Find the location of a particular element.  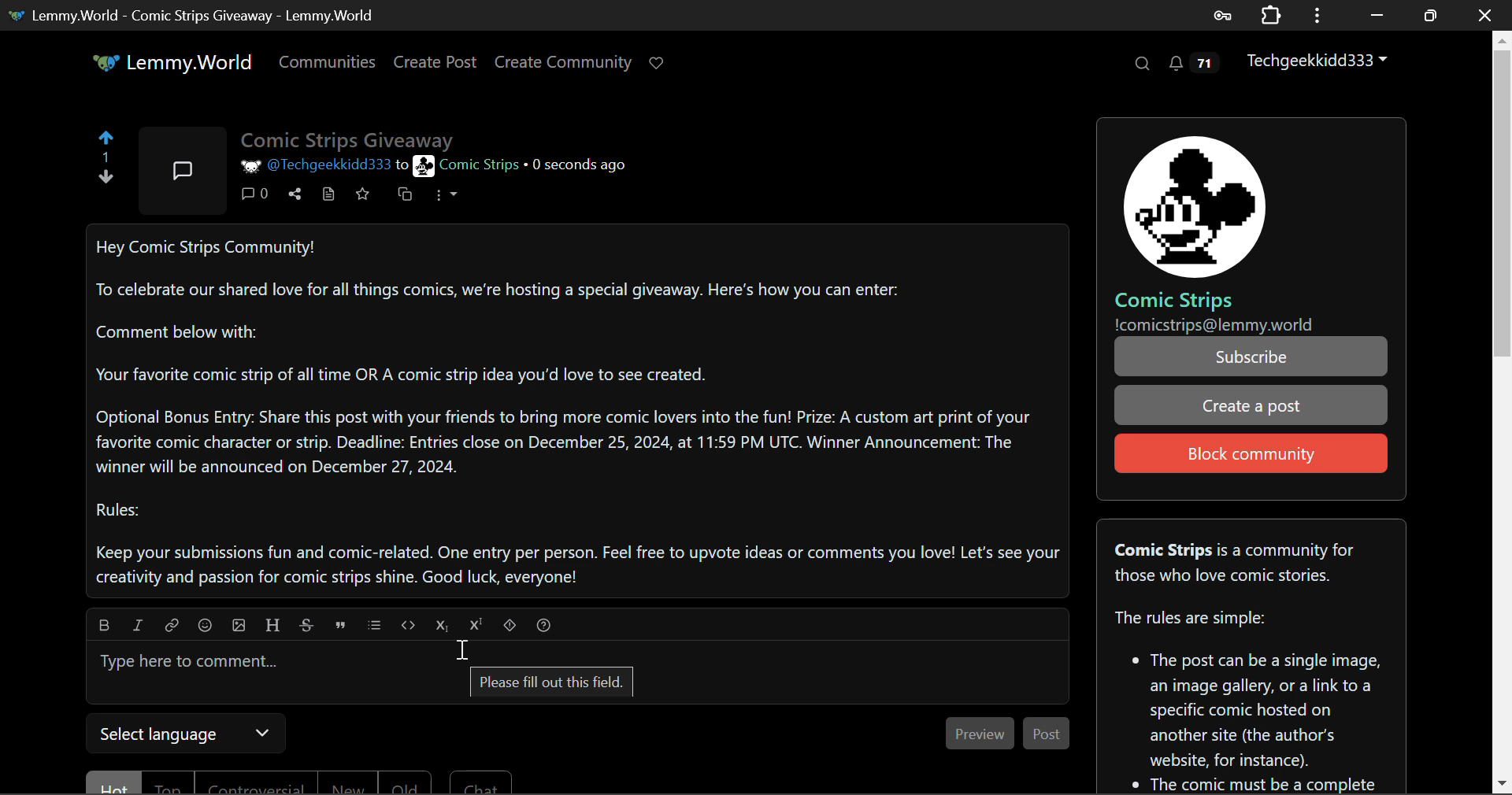

!comicstrips@lemmy.world is located at coordinates (1211, 324).